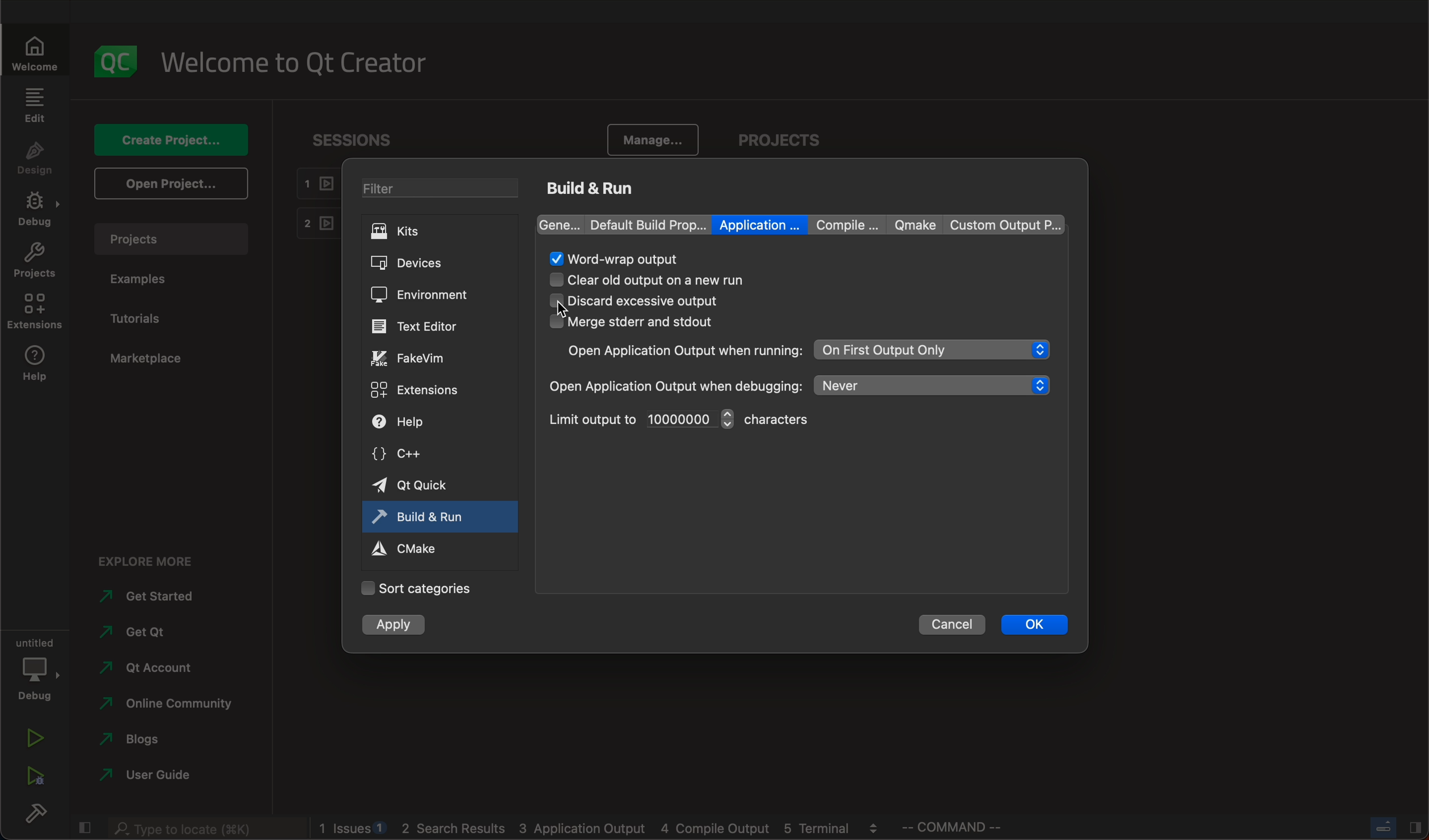 The image size is (1429, 840). What do you see at coordinates (437, 261) in the screenshot?
I see `devices` at bounding box center [437, 261].